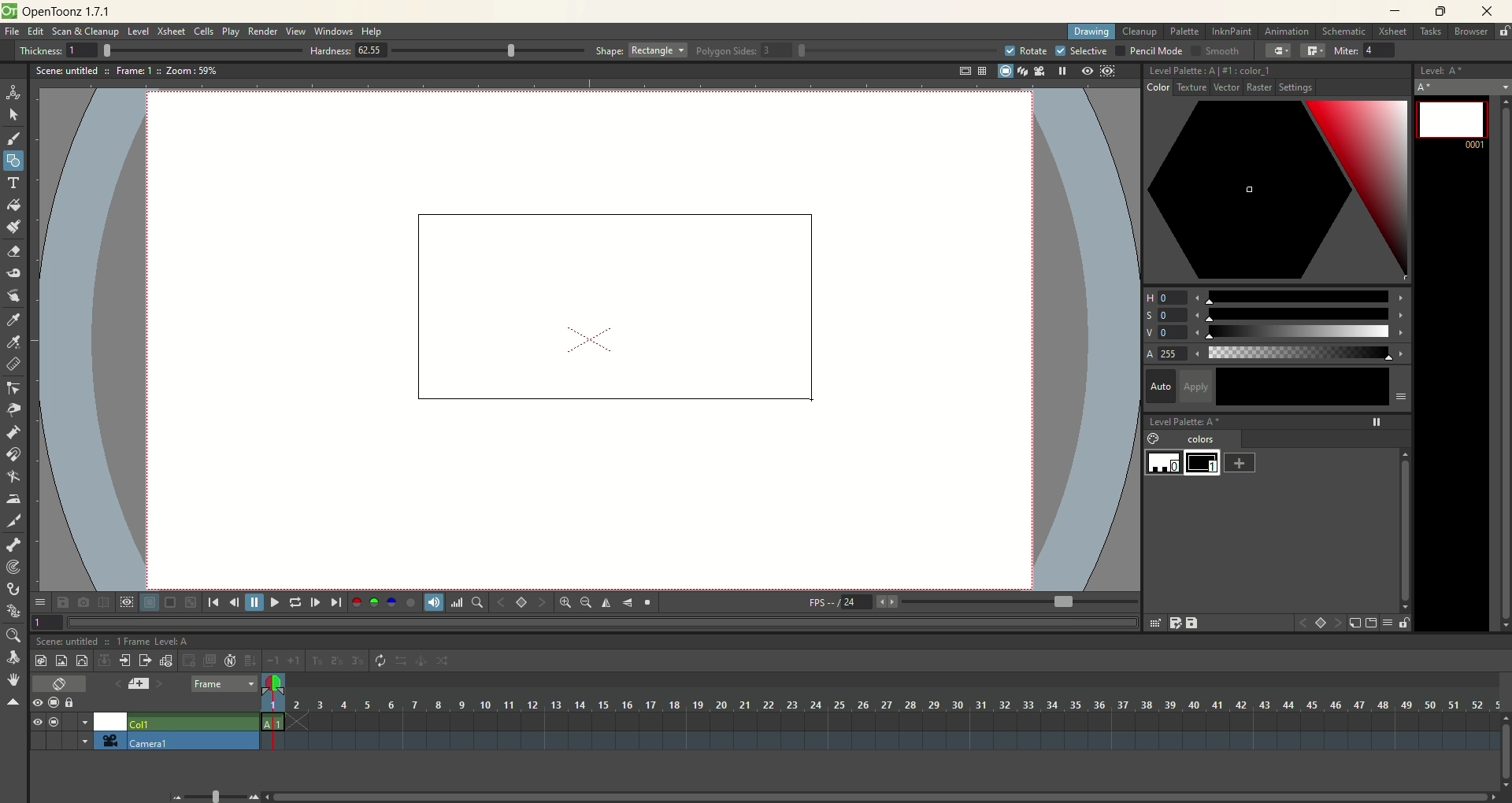 The image size is (1512, 803). Describe the element at coordinates (15, 342) in the screenshot. I see `RGB picker` at that location.